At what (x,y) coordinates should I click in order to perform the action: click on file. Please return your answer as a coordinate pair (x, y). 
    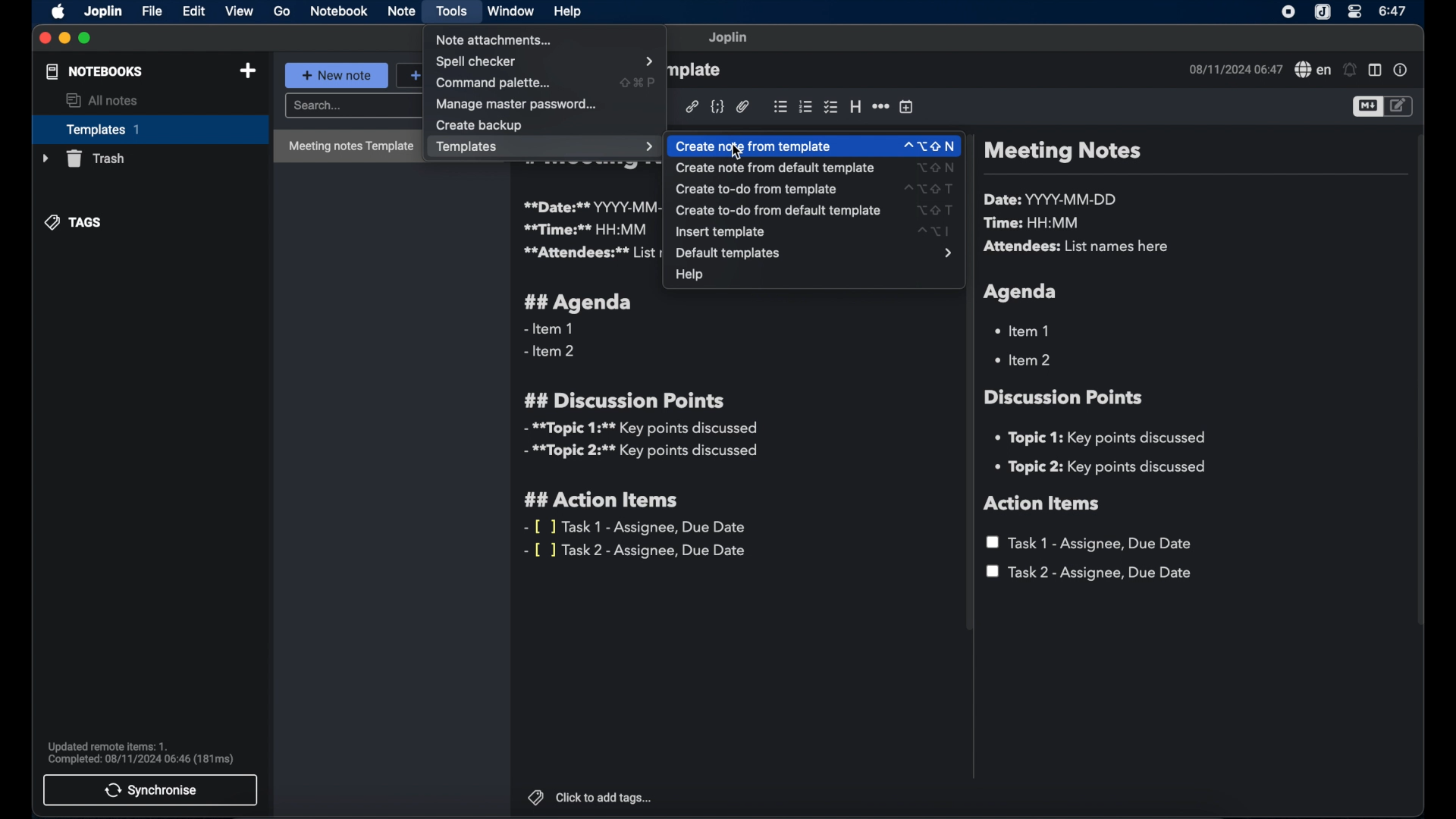
    Looking at the image, I should click on (152, 11).